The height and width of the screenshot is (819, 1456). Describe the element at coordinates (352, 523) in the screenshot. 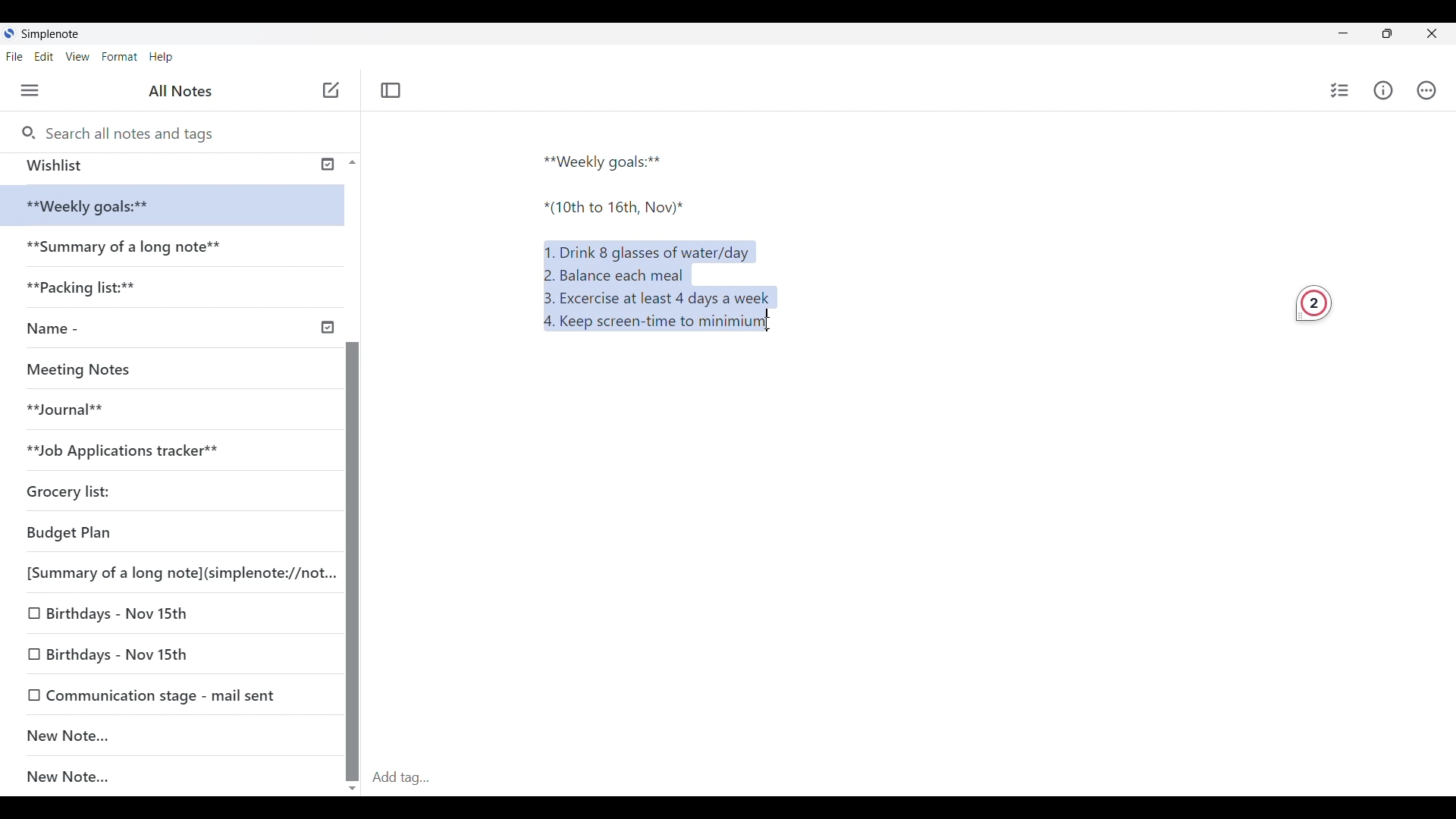

I see `Scroll bar` at that location.